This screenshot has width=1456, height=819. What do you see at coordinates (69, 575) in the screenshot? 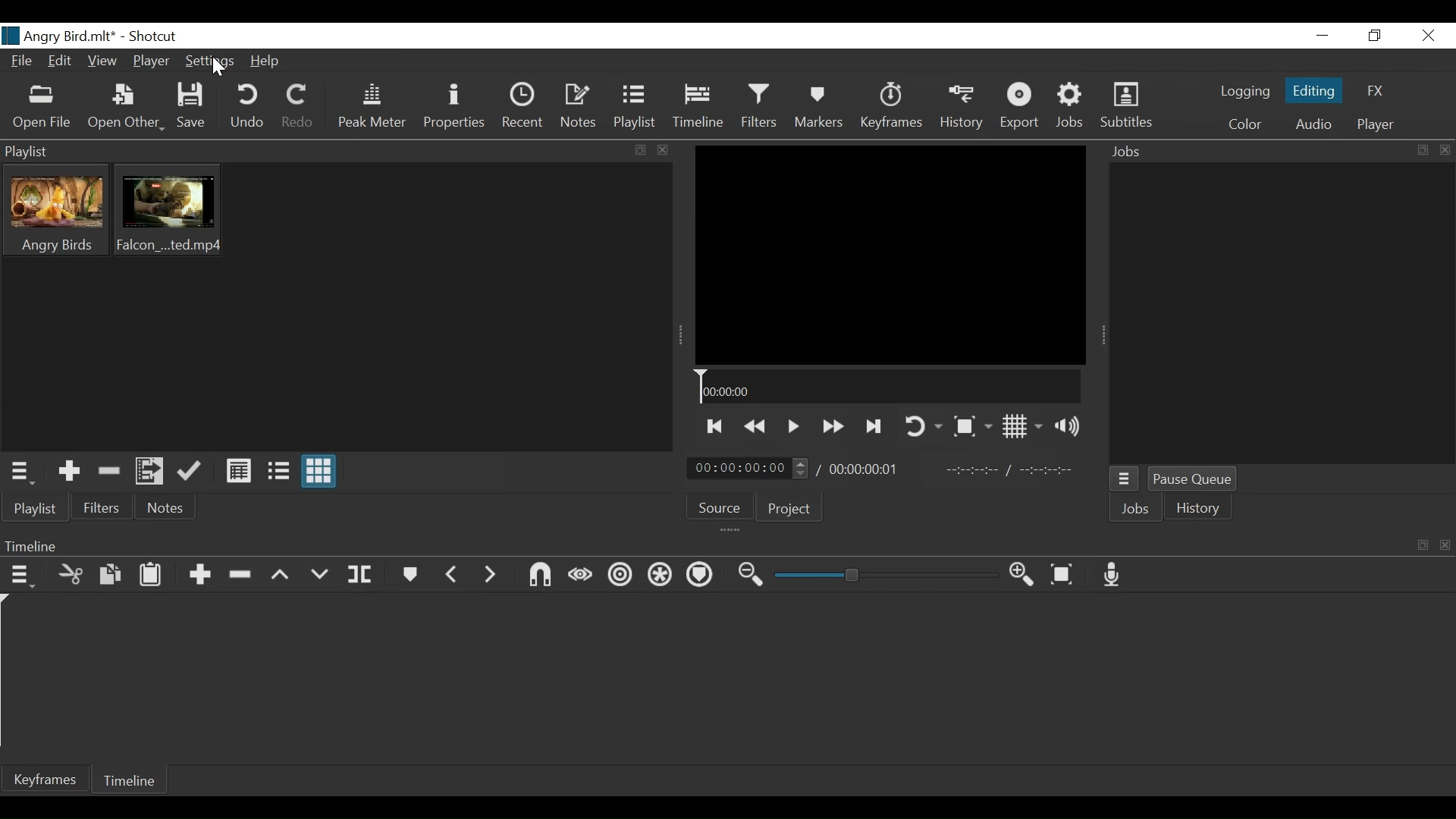
I see `Cut` at bounding box center [69, 575].